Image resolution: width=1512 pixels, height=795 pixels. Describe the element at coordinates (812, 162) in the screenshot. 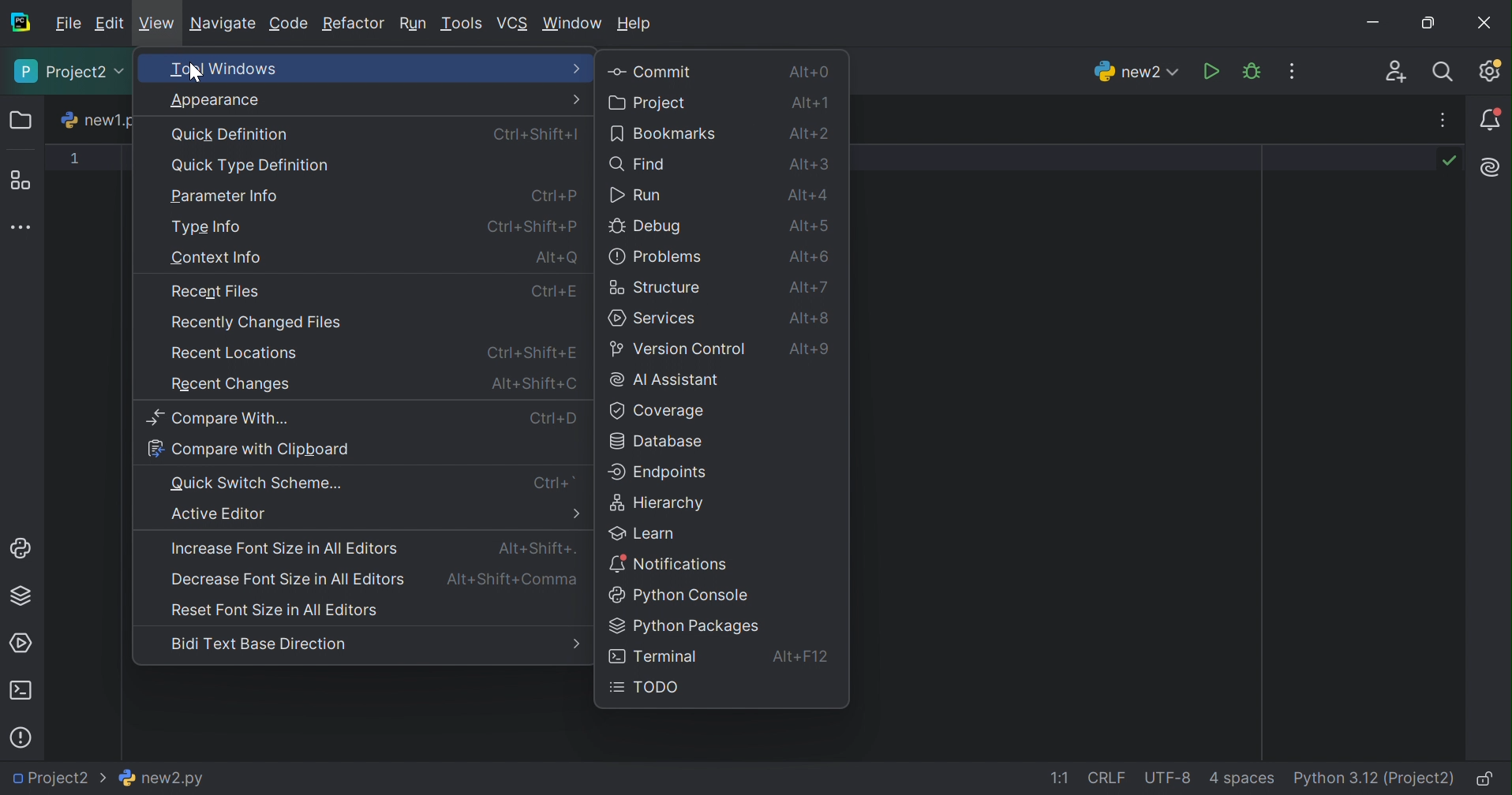

I see `Alt+3` at that location.